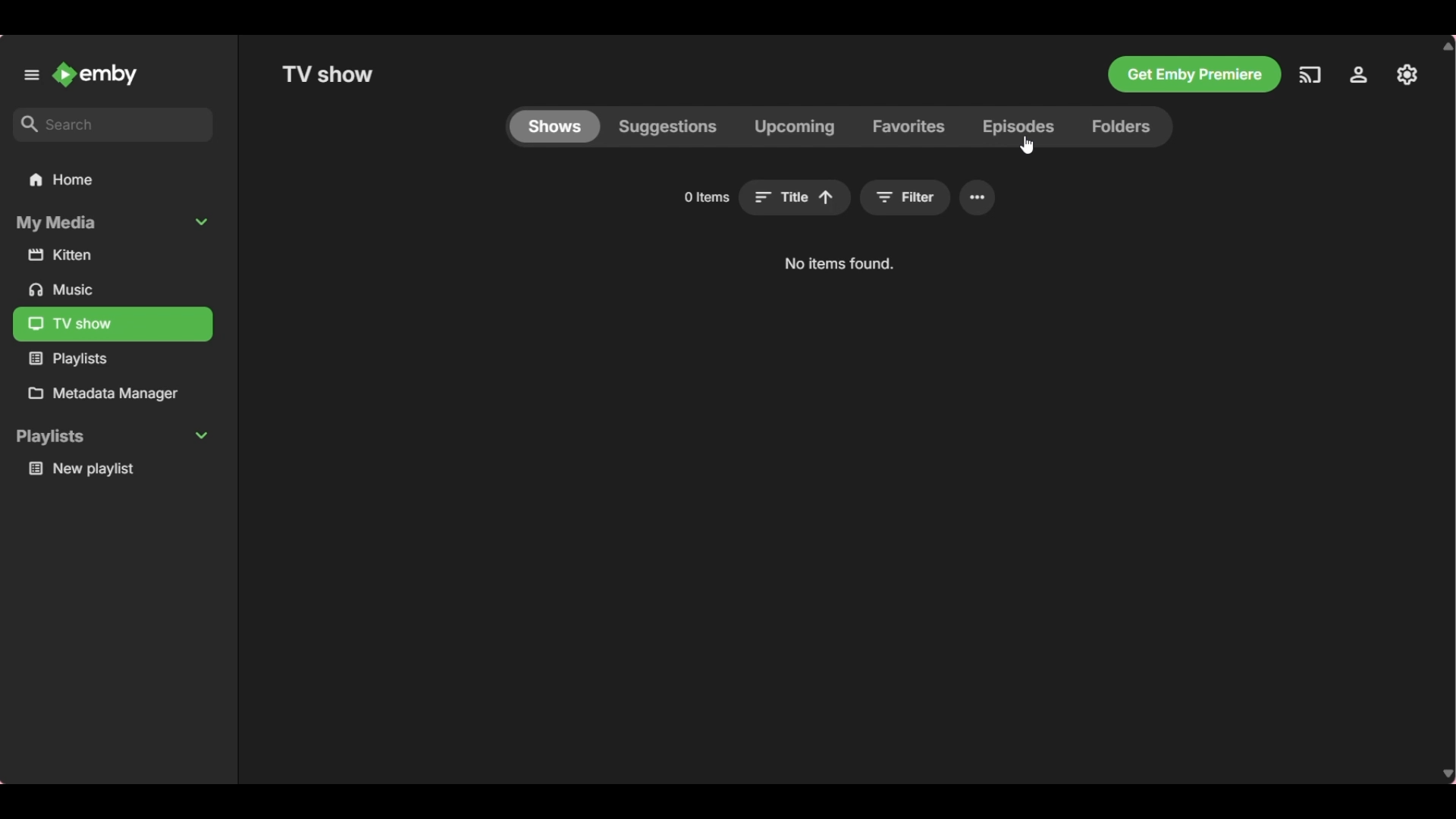  Describe the element at coordinates (1195, 74) in the screenshot. I see `Get Emby premiere` at that location.